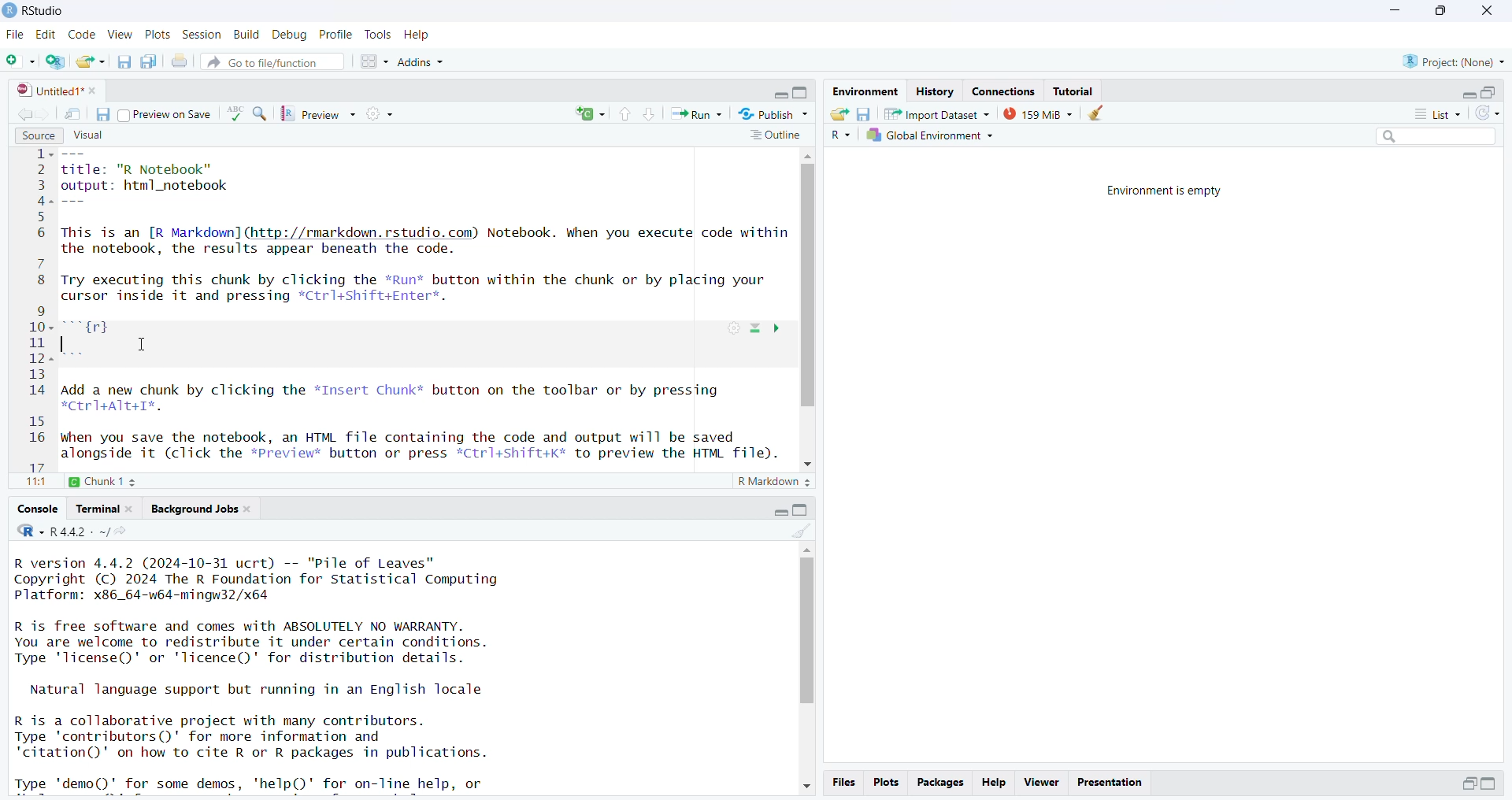 This screenshot has width=1512, height=800. I want to click on profile, so click(337, 35).